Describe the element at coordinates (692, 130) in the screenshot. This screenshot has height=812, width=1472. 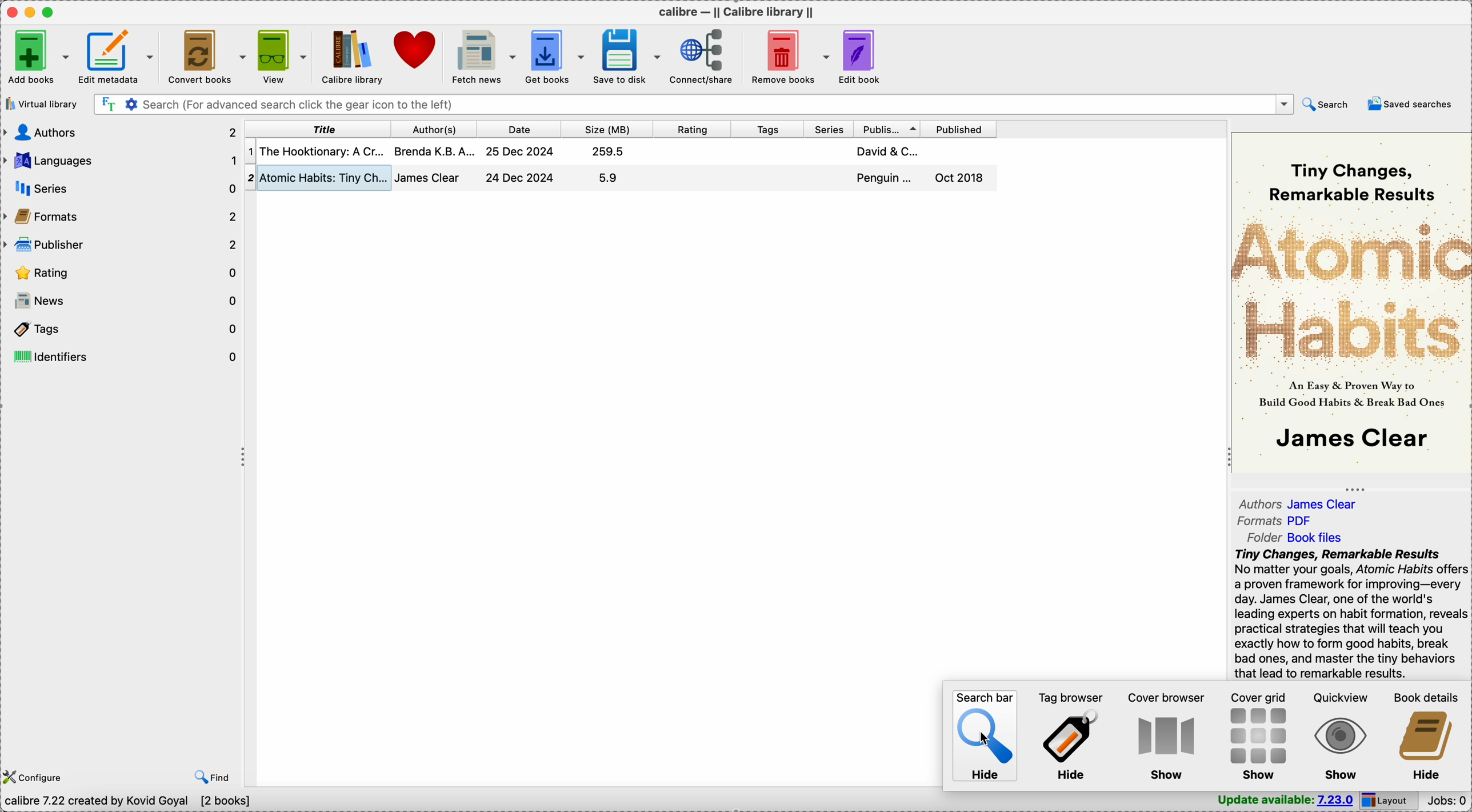
I see `rating` at that location.